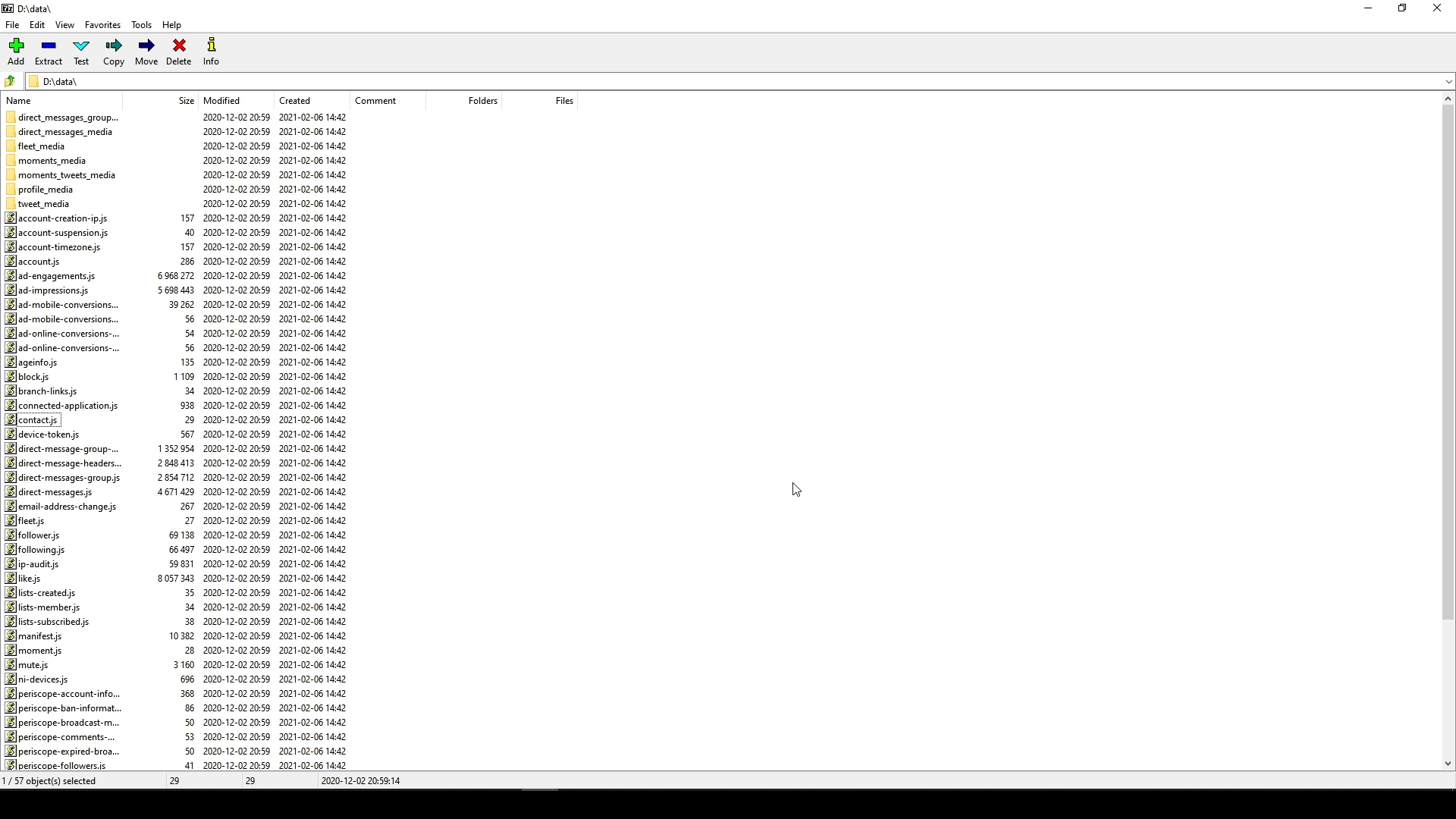 The height and width of the screenshot is (819, 1456). Describe the element at coordinates (28, 579) in the screenshot. I see `like.js` at that location.